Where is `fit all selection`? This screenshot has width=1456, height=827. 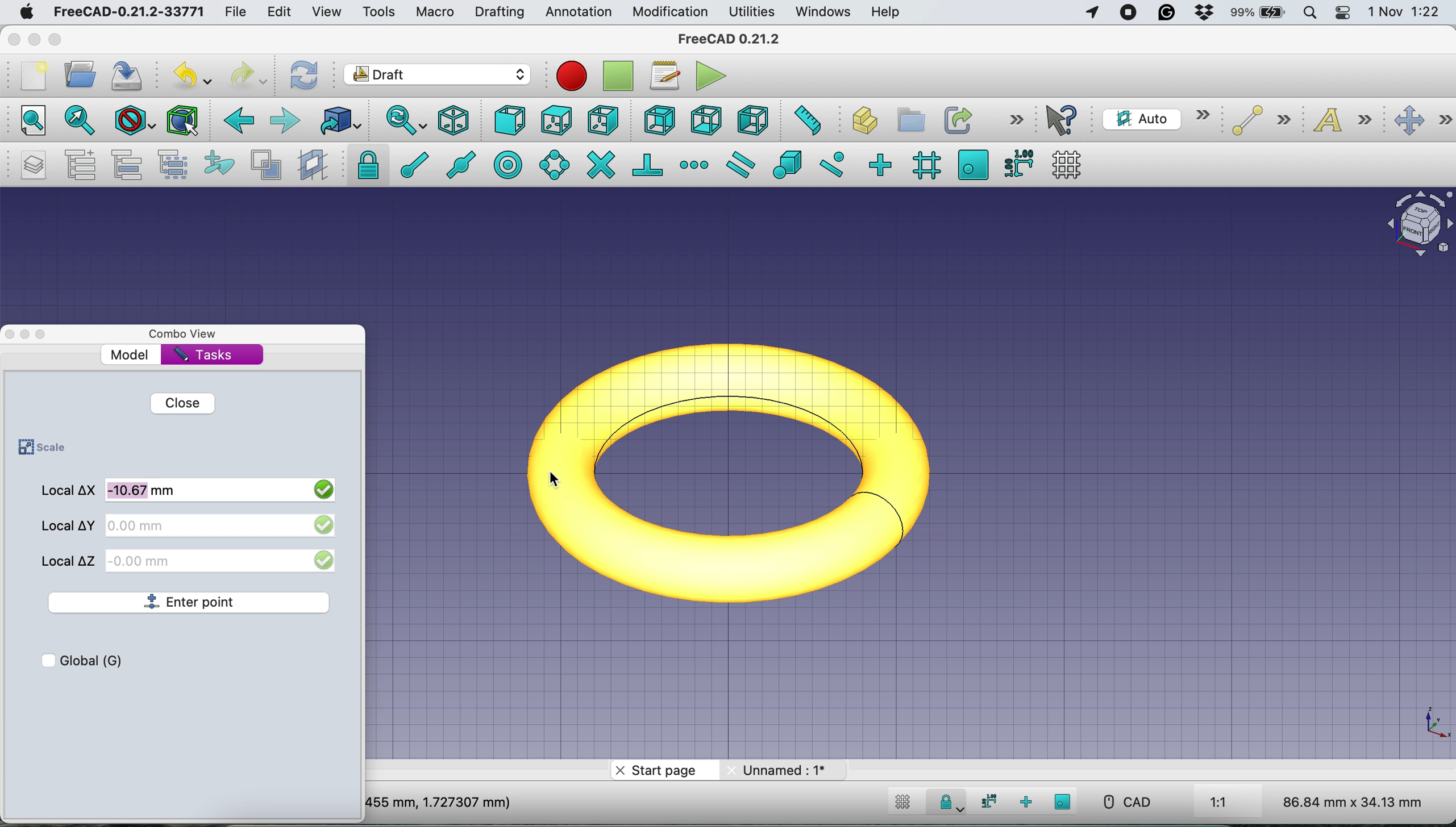
fit all selection is located at coordinates (77, 122).